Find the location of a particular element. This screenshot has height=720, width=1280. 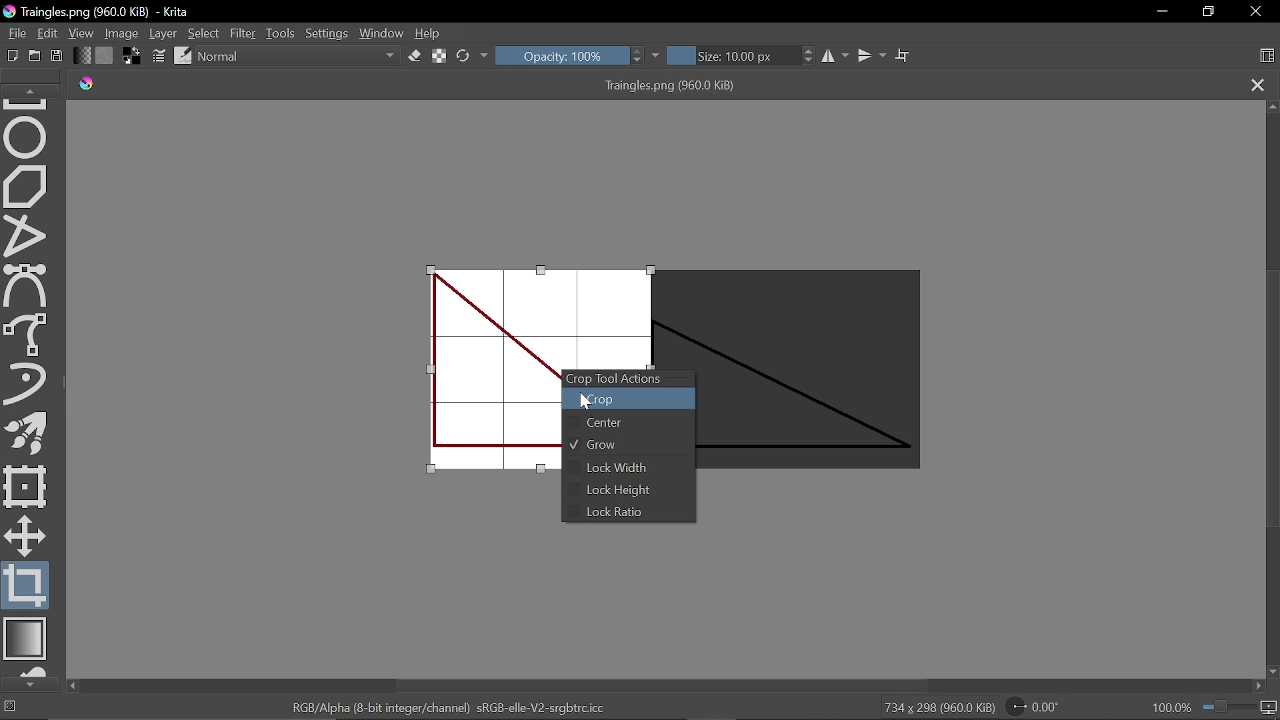

Transform a layer or a selection is located at coordinates (26, 485).